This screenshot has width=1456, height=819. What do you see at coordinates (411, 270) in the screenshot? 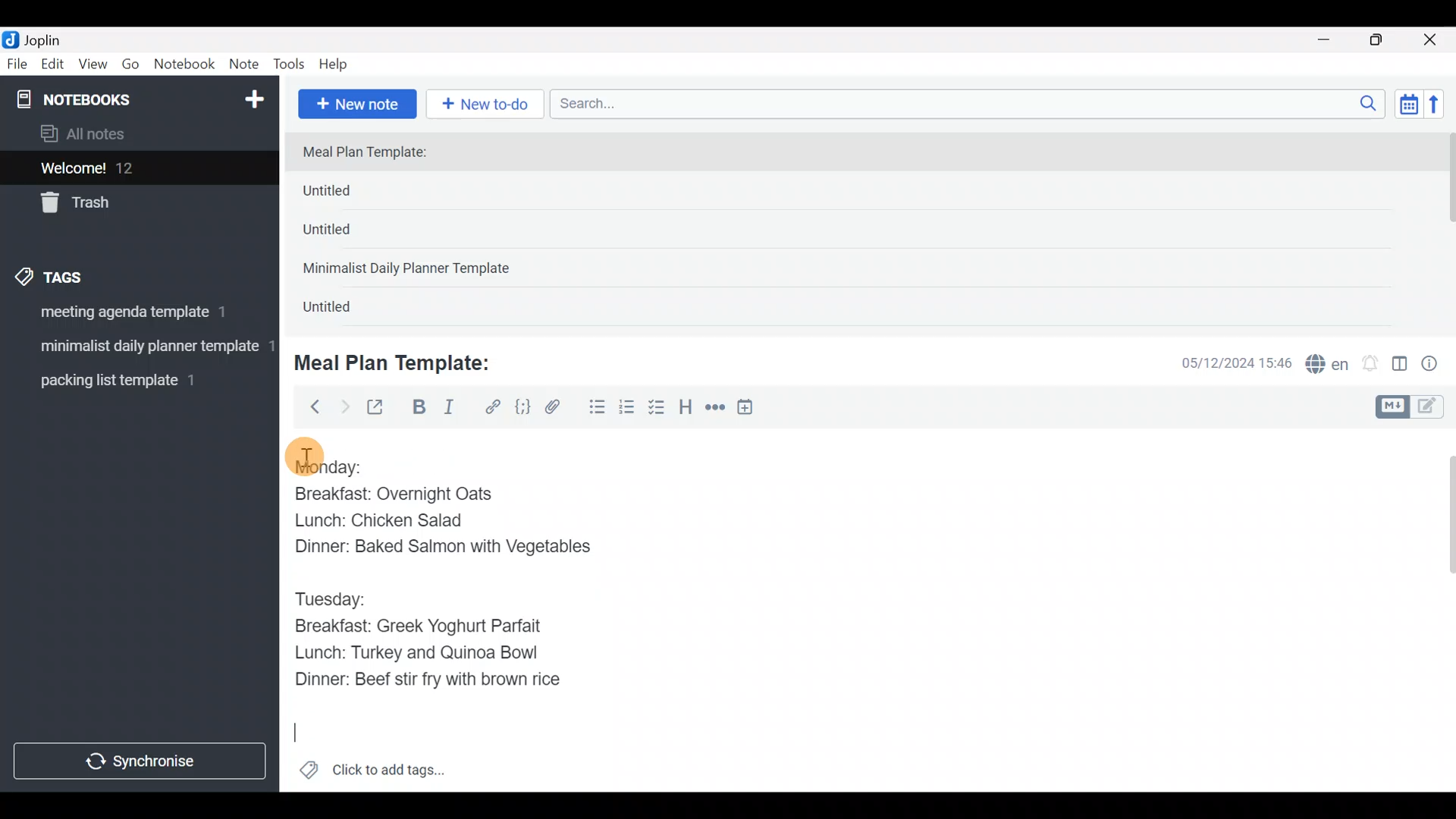
I see `Minimalist Daily Planner Template` at bounding box center [411, 270].